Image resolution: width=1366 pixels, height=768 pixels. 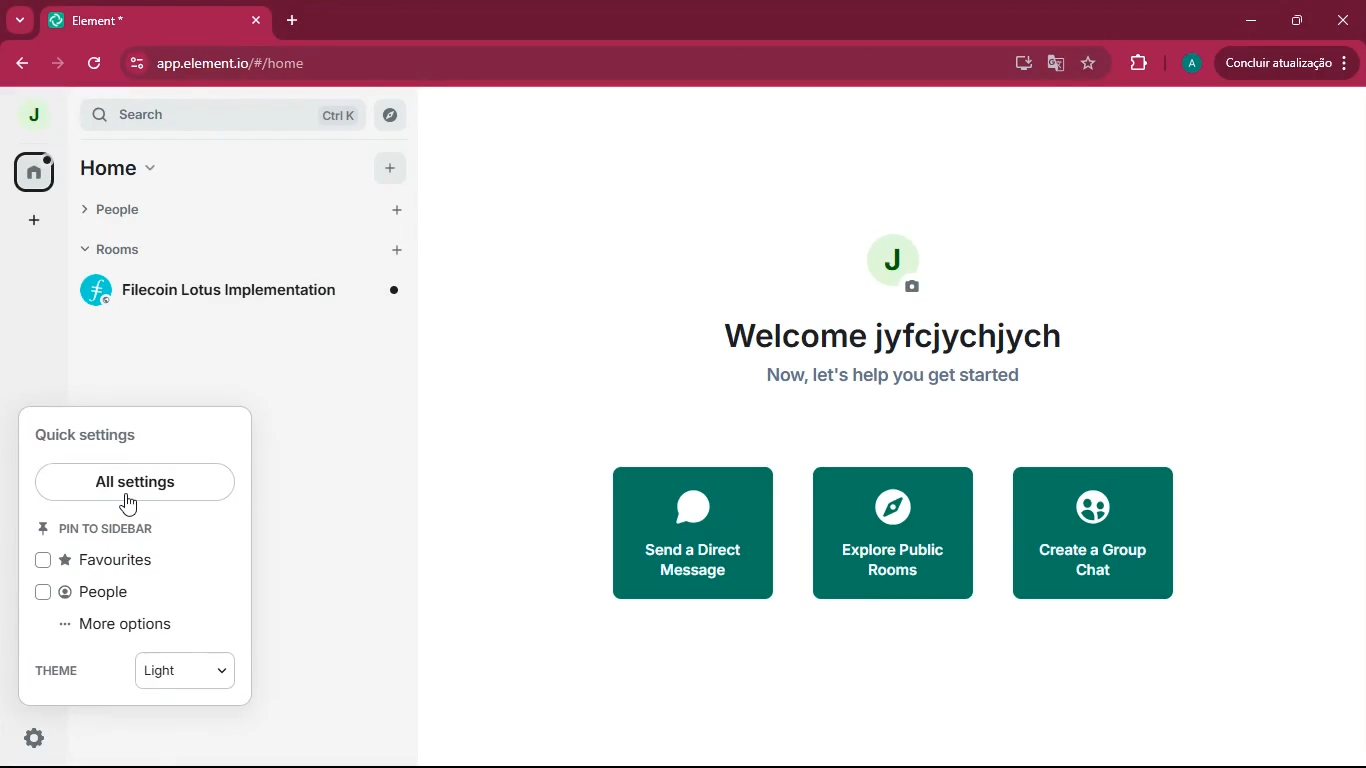 What do you see at coordinates (131, 625) in the screenshot?
I see `more options` at bounding box center [131, 625].